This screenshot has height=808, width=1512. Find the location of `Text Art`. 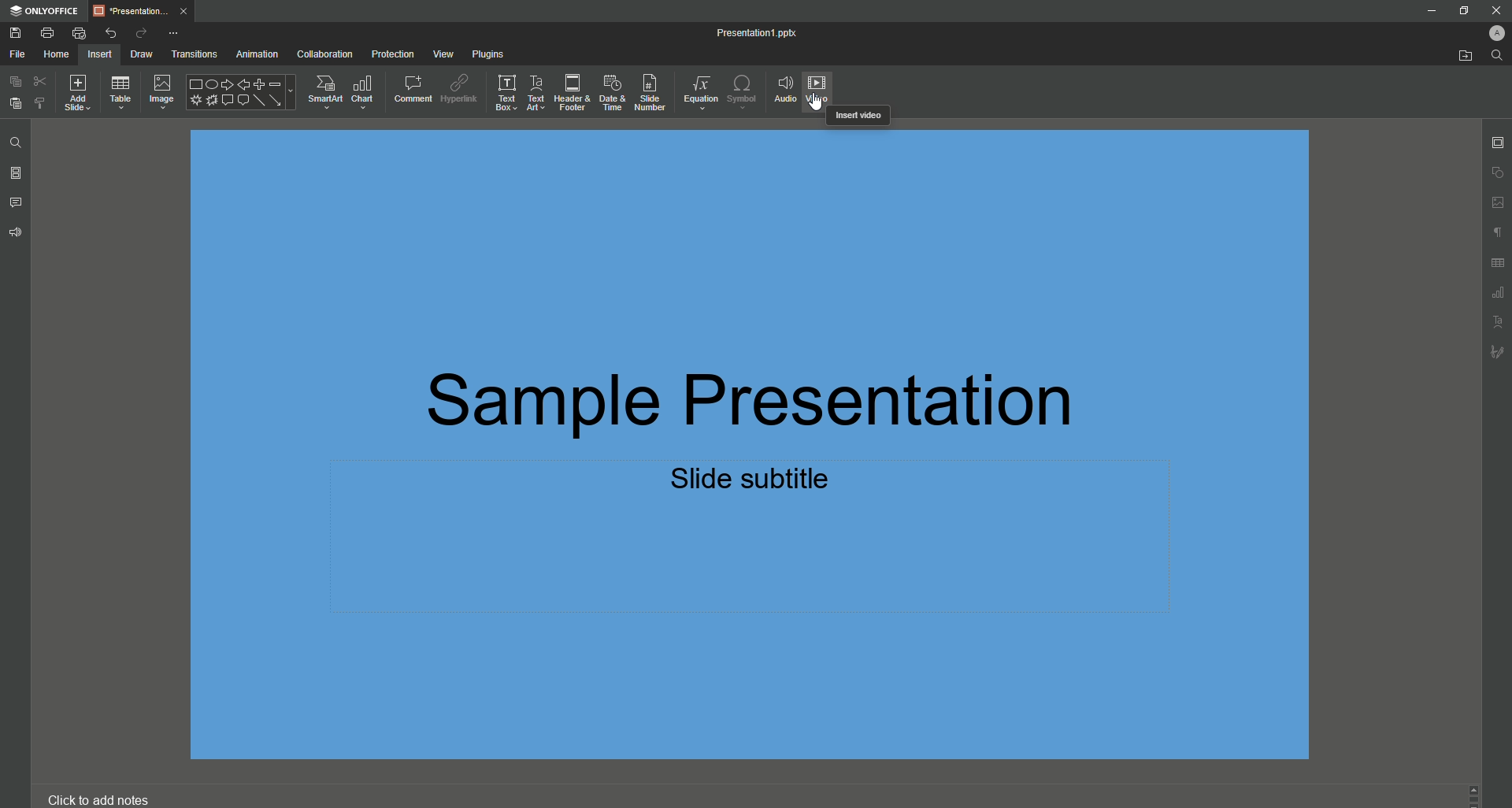

Text Art is located at coordinates (535, 93).